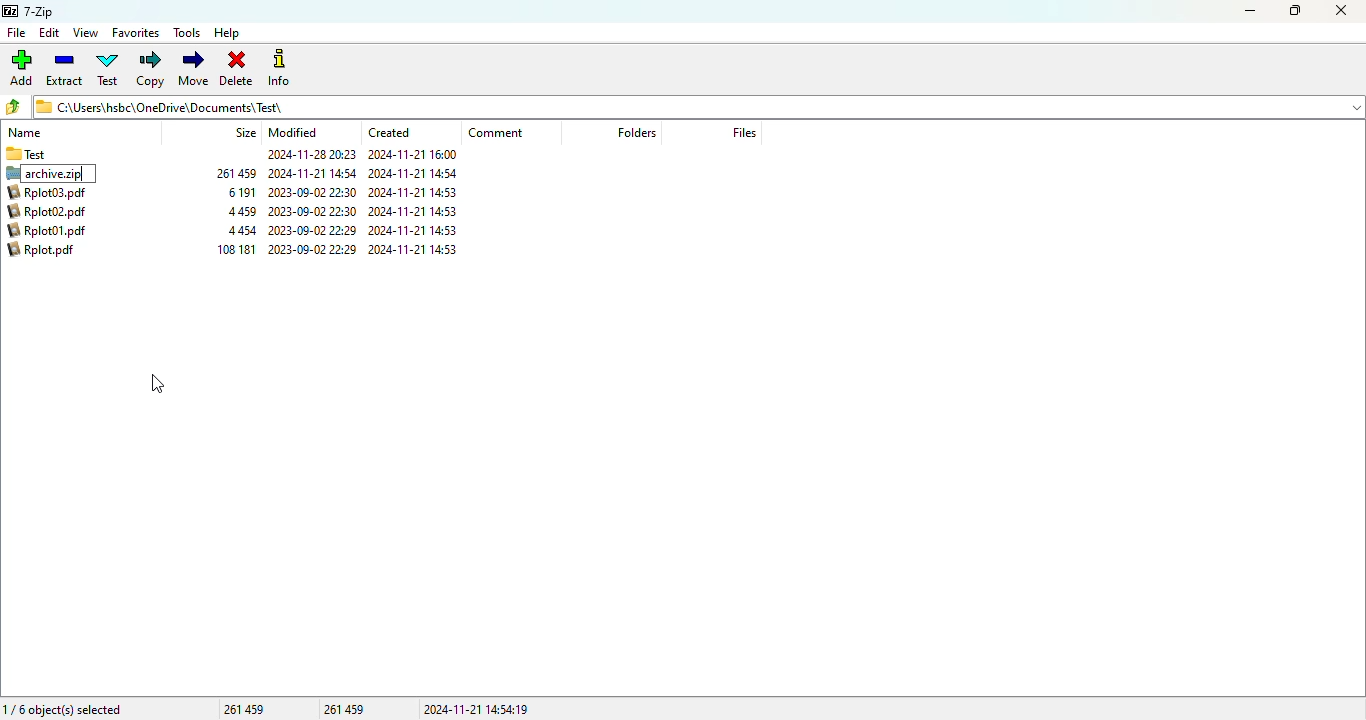 The width and height of the screenshot is (1366, 720). I want to click on 261 459, so click(346, 708).